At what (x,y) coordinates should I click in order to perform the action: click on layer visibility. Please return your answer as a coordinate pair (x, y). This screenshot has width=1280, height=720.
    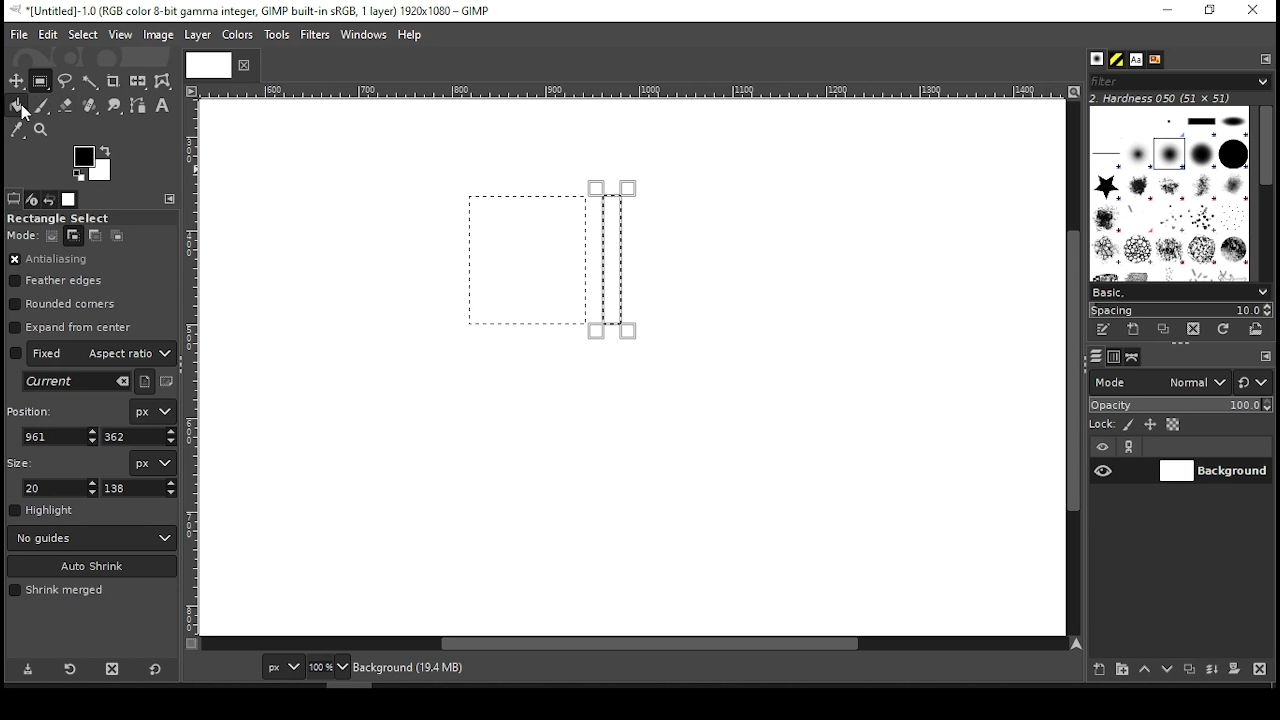
    Looking at the image, I should click on (1103, 447).